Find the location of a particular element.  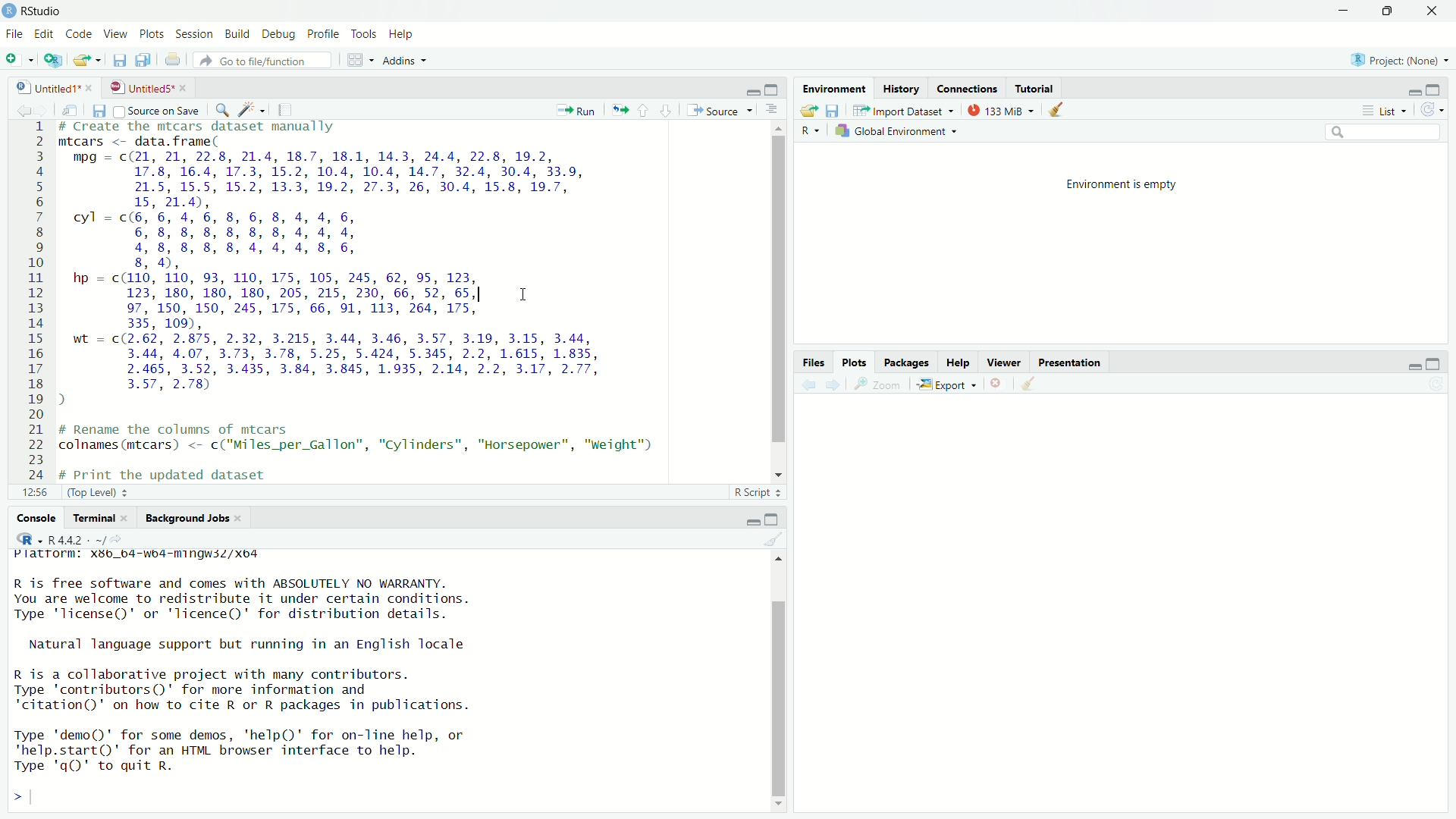

Environment is located at coordinates (833, 90).